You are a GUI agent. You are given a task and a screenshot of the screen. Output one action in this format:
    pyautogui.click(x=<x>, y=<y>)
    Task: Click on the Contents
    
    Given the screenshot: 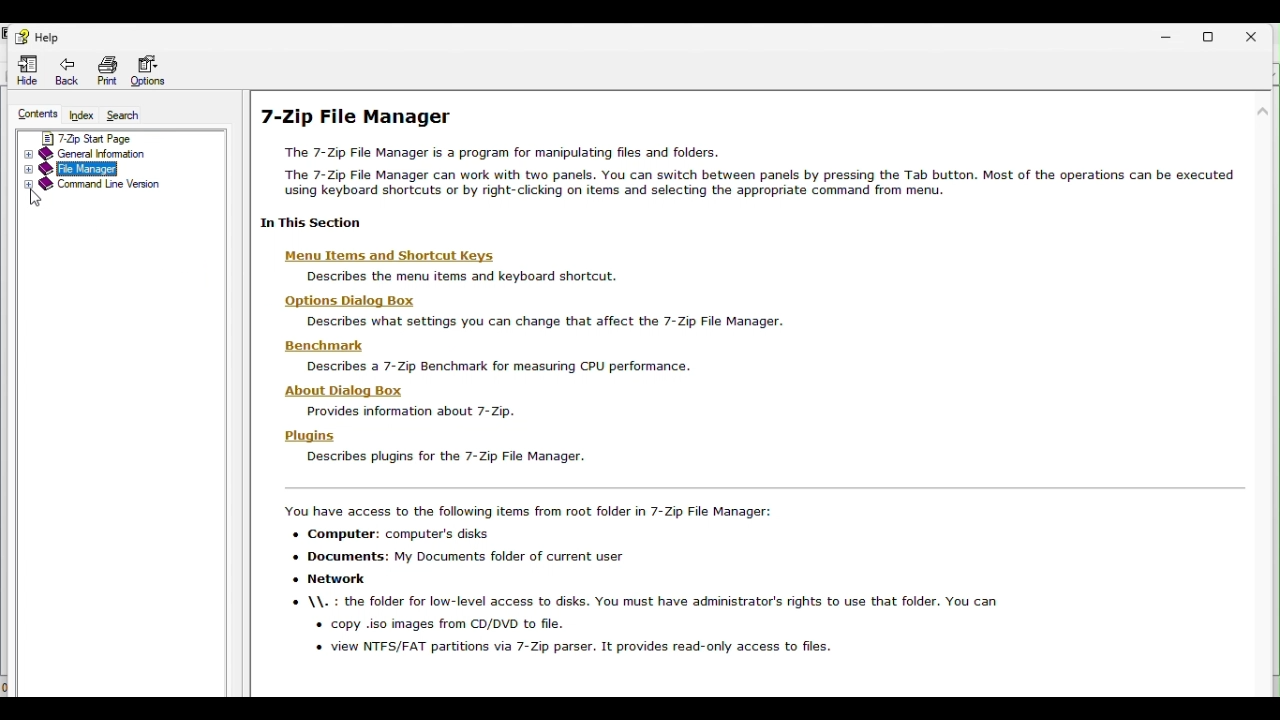 What is the action you would take?
    pyautogui.click(x=30, y=115)
    